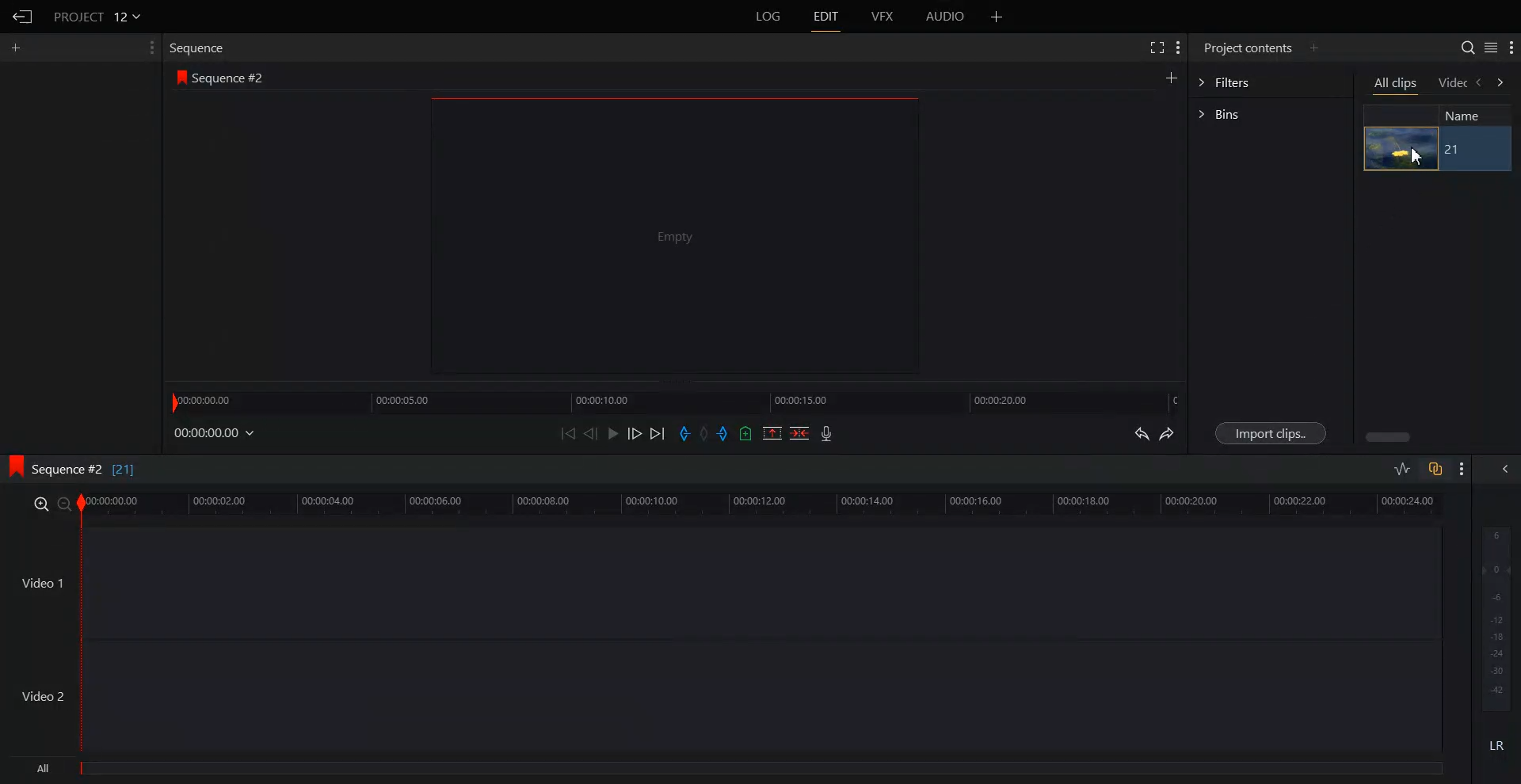 The image size is (1521, 784). Describe the element at coordinates (768, 17) in the screenshot. I see `Log` at that location.